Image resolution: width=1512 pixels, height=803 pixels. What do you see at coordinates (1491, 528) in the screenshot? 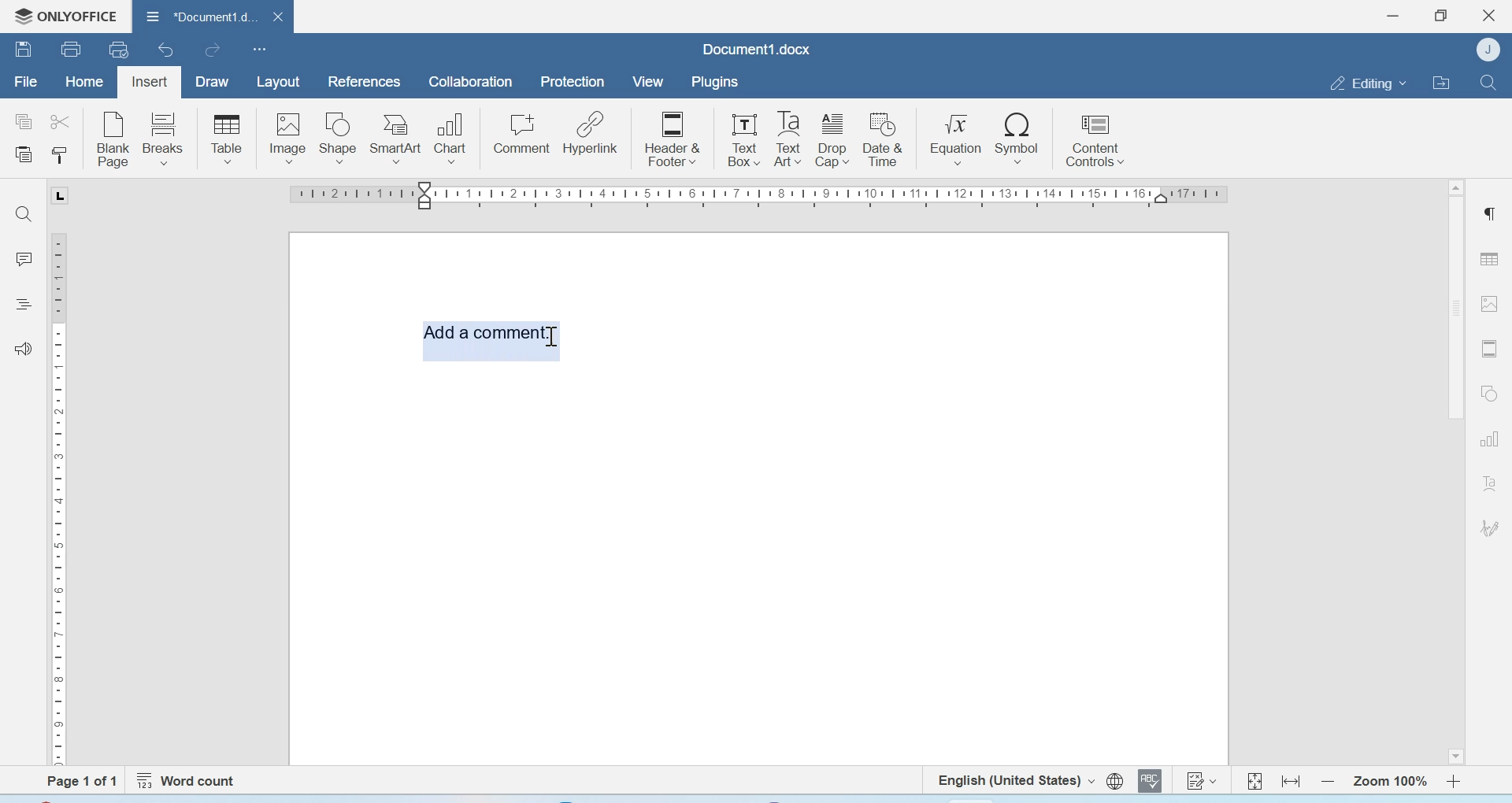
I see `Signature` at bounding box center [1491, 528].